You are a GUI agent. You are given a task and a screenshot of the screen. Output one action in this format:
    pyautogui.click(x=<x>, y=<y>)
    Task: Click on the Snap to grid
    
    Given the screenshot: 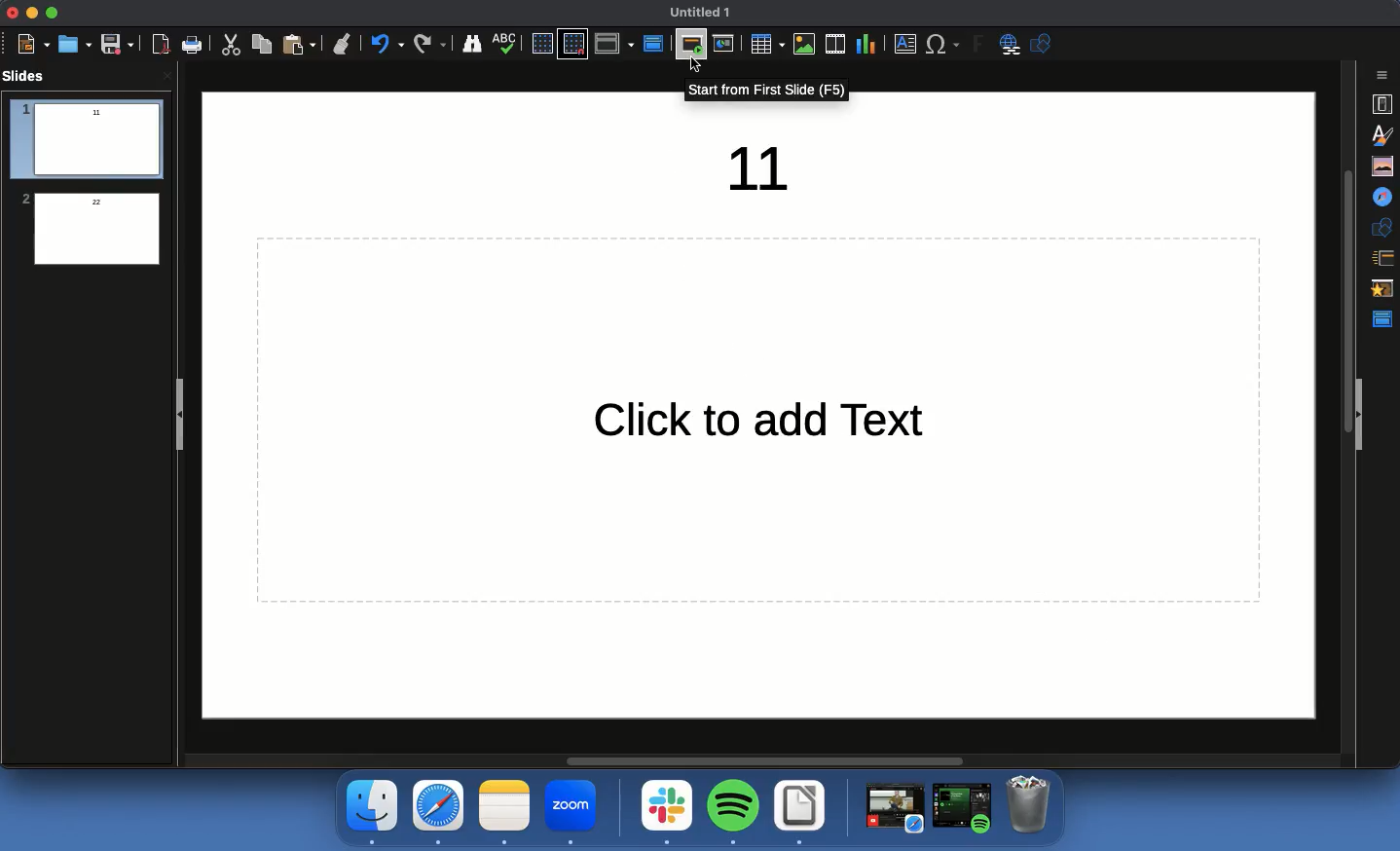 What is the action you would take?
    pyautogui.click(x=572, y=45)
    